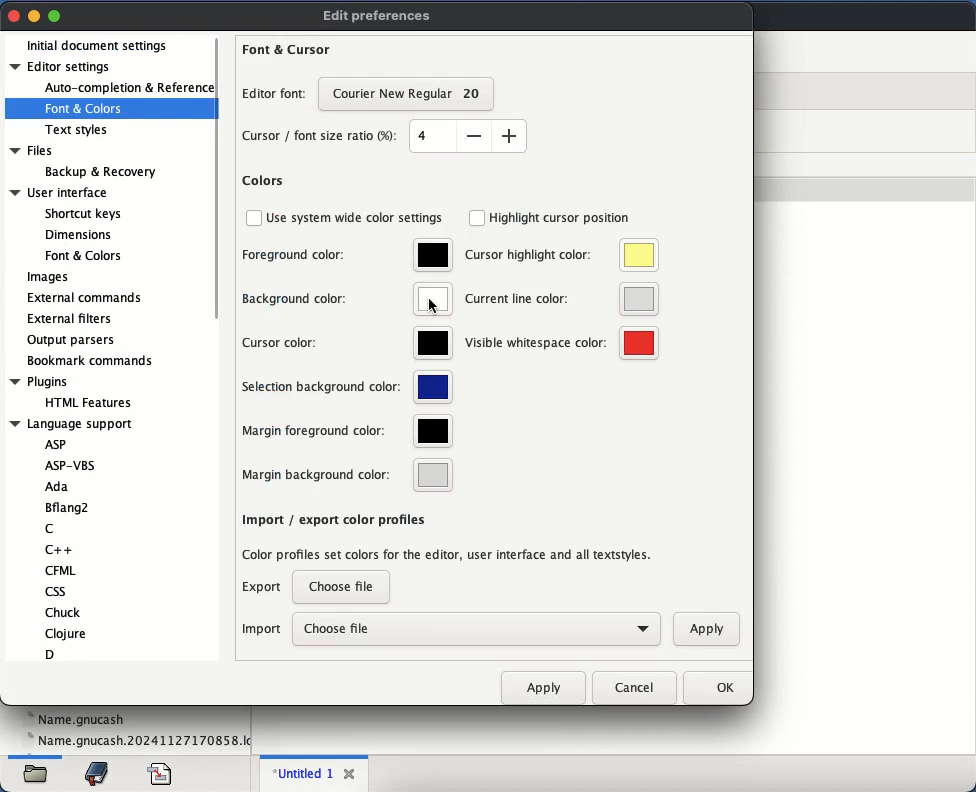 Image resolution: width=976 pixels, height=792 pixels. What do you see at coordinates (546, 686) in the screenshot?
I see `apply` at bounding box center [546, 686].